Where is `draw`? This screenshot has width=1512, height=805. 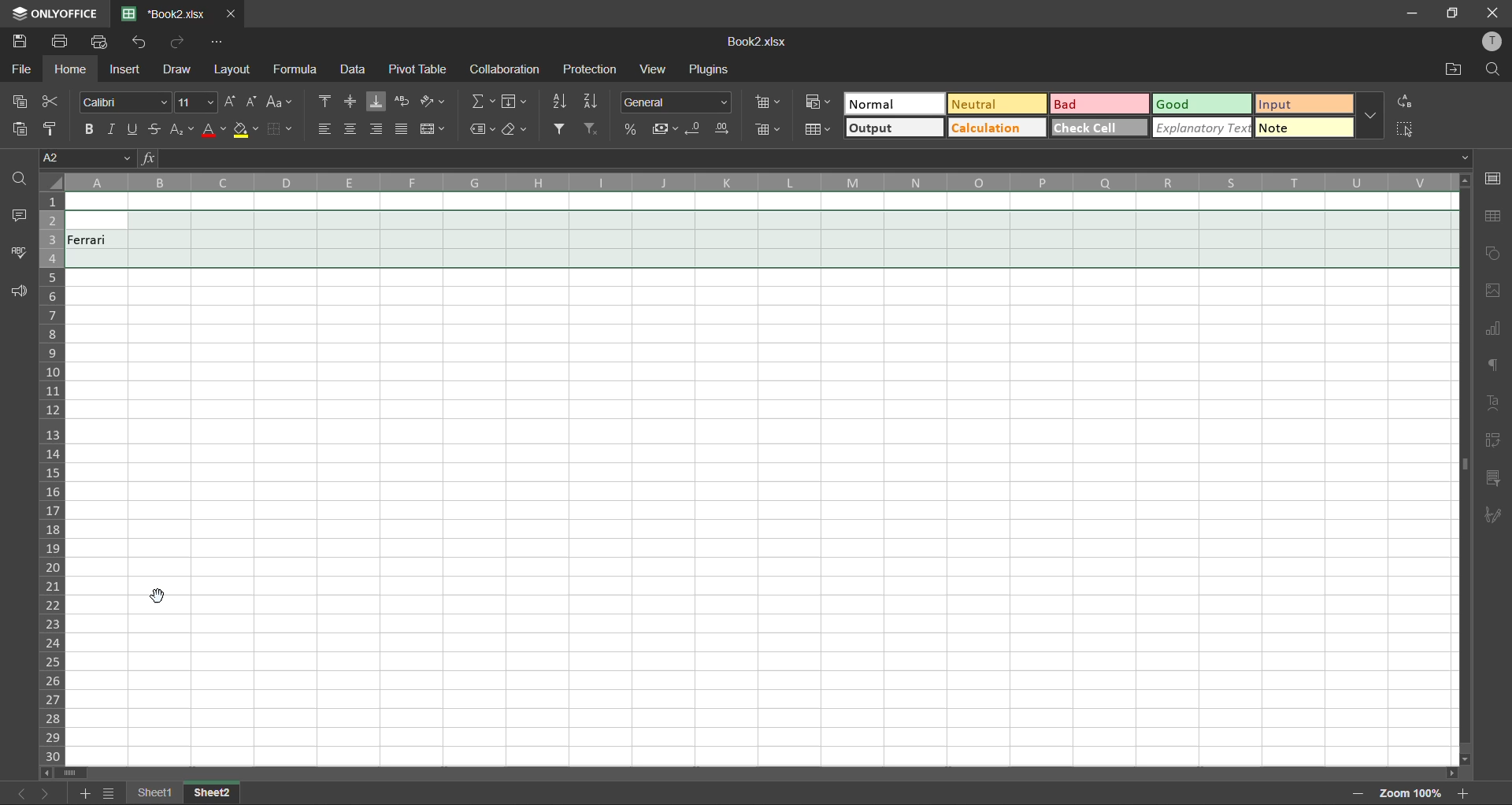 draw is located at coordinates (175, 68).